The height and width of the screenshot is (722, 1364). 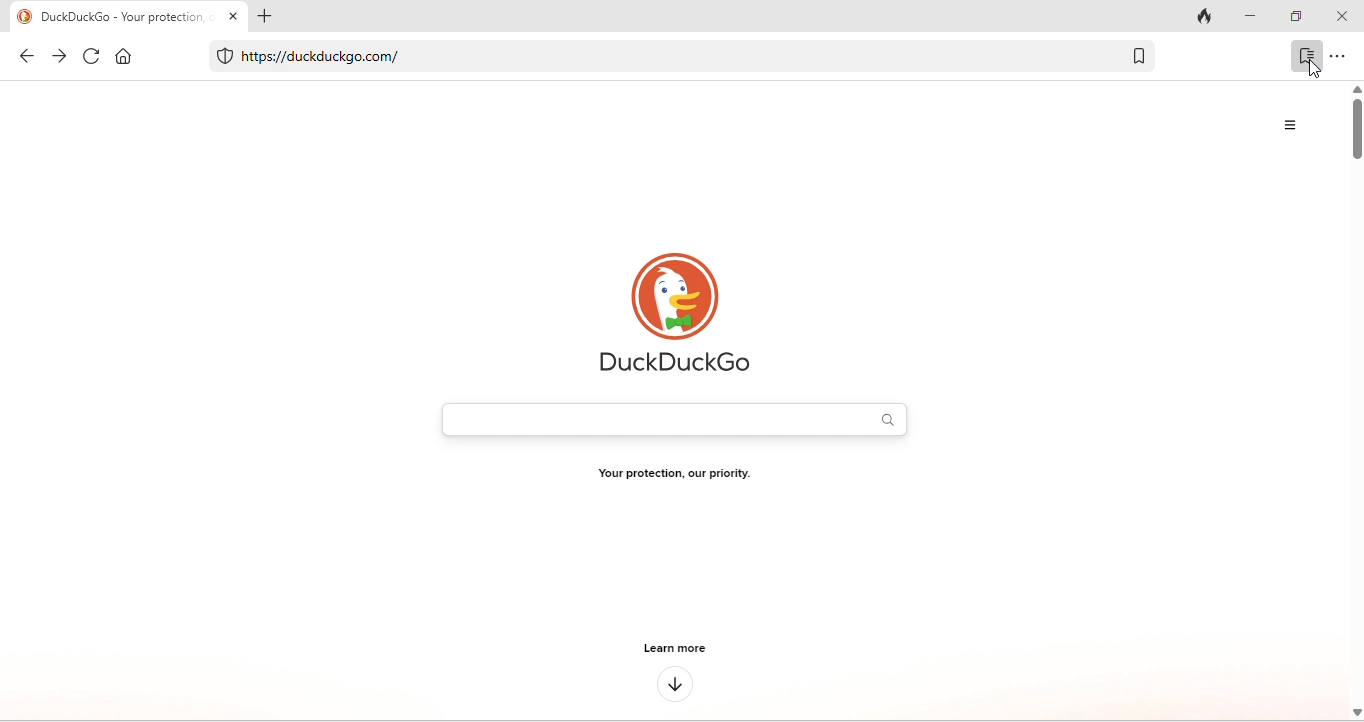 What do you see at coordinates (1314, 65) in the screenshot?
I see `cursor` at bounding box center [1314, 65].